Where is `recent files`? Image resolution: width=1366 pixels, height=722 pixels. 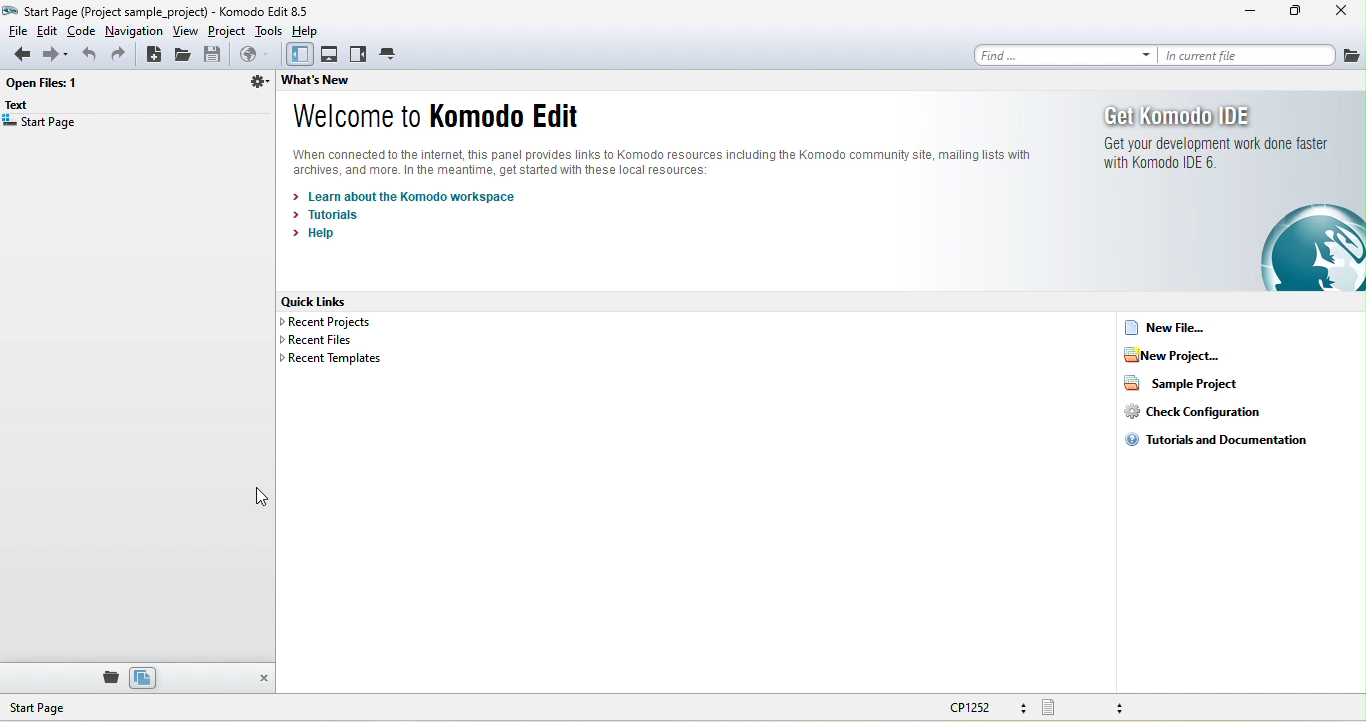 recent files is located at coordinates (323, 341).